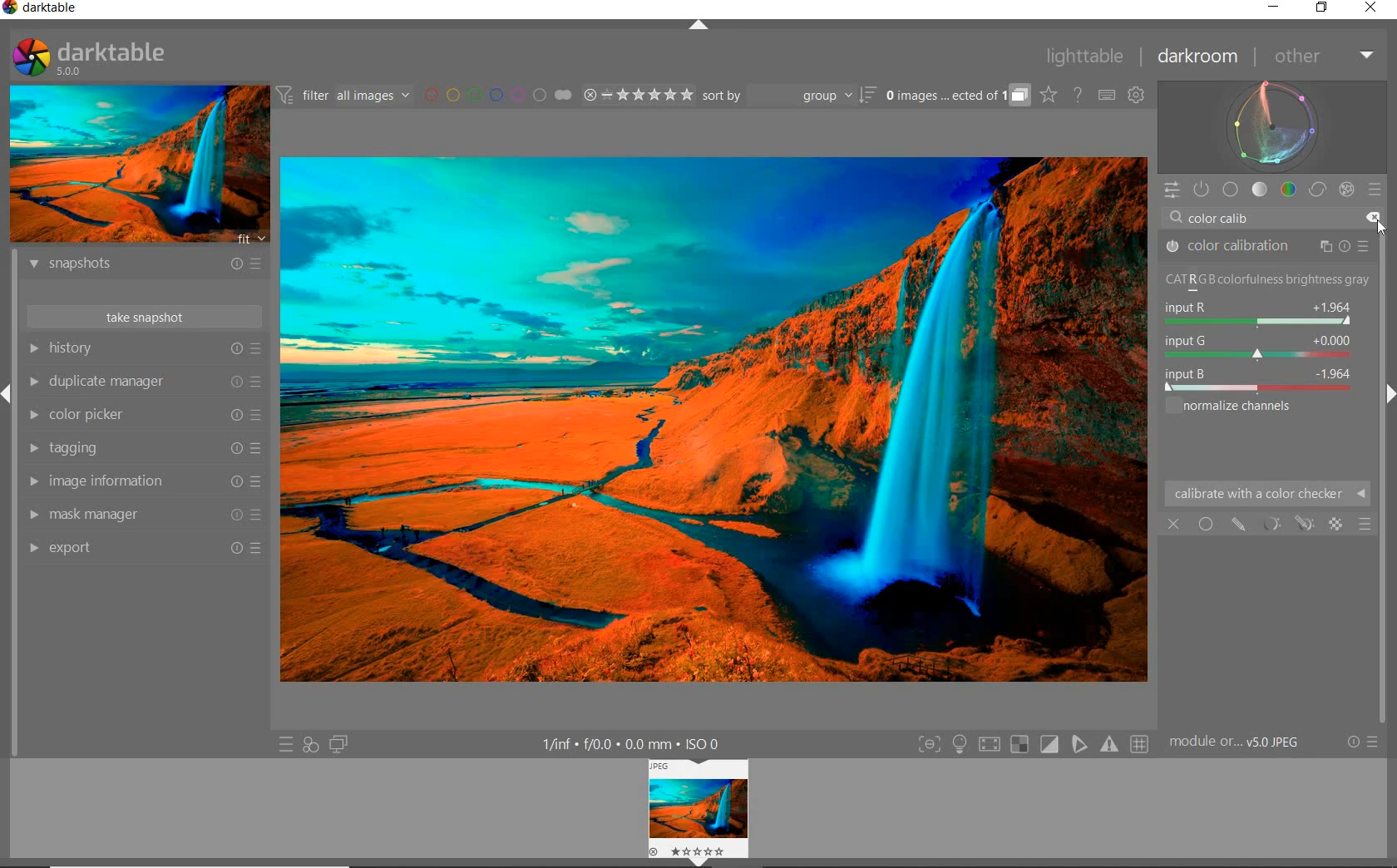  Describe the element at coordinates (1089, 57) in the screenshot. I see `lighttable` at that location.